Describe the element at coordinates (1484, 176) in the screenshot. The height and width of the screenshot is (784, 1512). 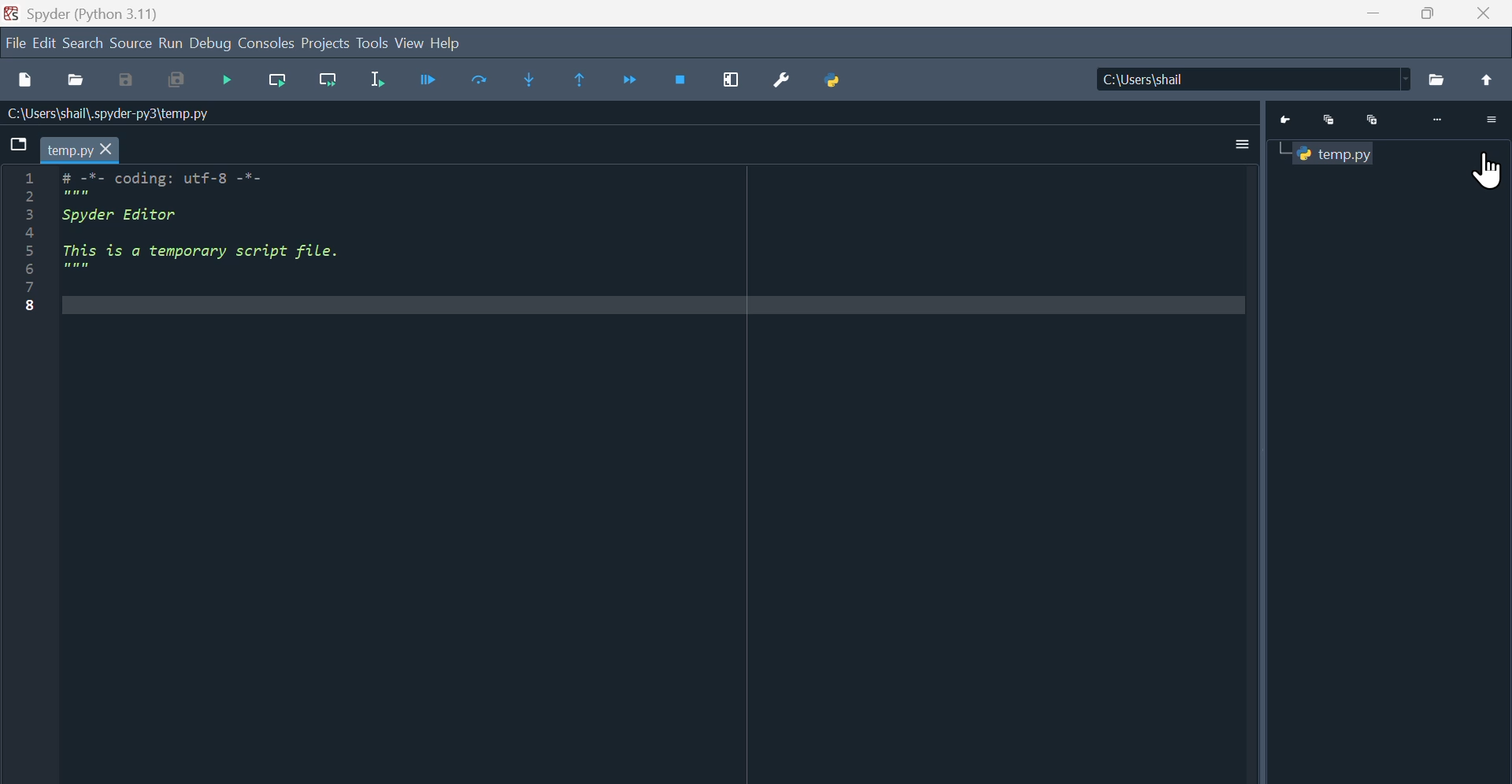
I see `cursor` at that location.